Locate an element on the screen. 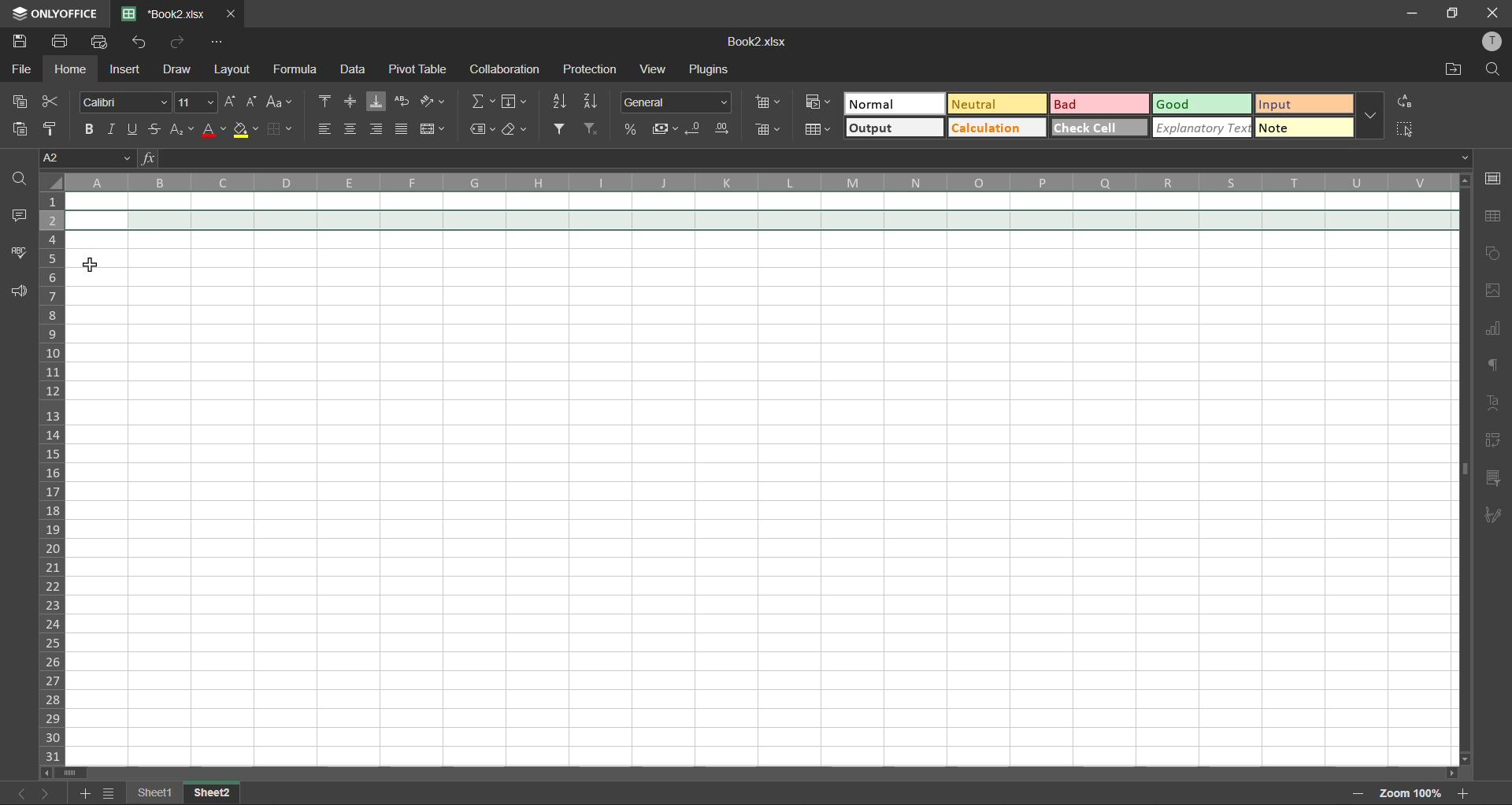  sheet 13 is located at coordinates (213, 792).